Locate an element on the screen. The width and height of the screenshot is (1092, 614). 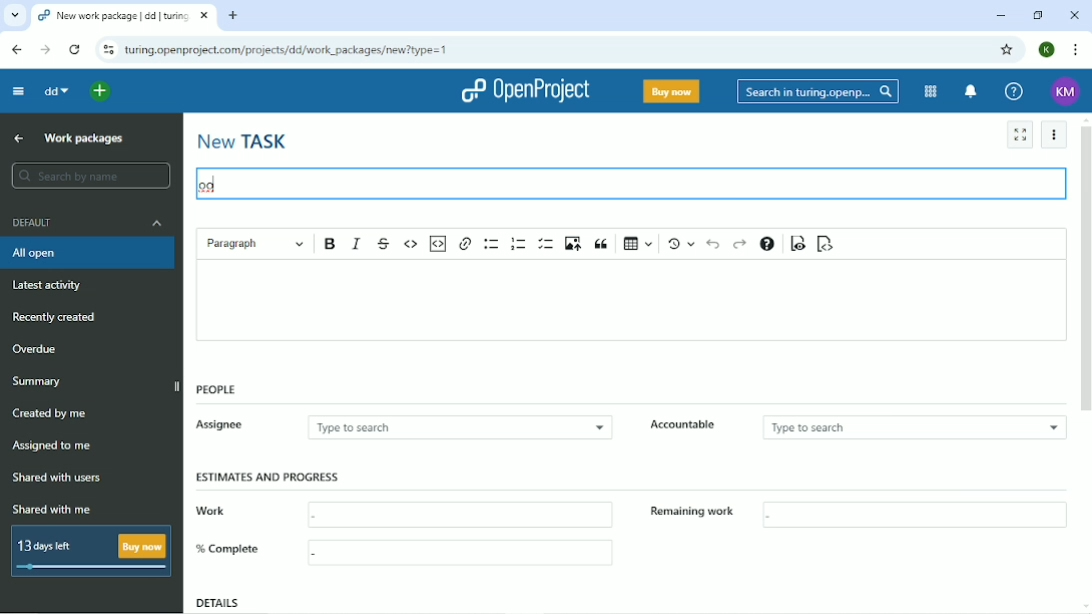
Buy now is located at coordinates (671, 92).